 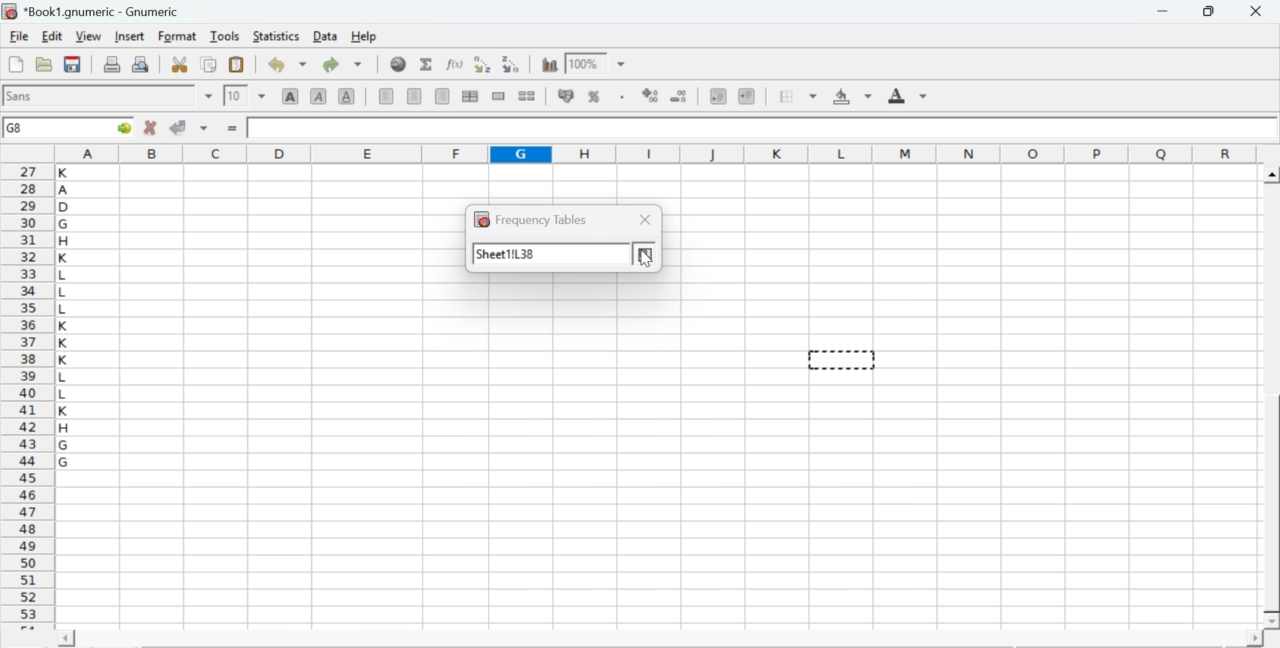 What do you see at coordinates (386, 94) in the screenshot?
I see `align left` at bounding box center [386, 94].